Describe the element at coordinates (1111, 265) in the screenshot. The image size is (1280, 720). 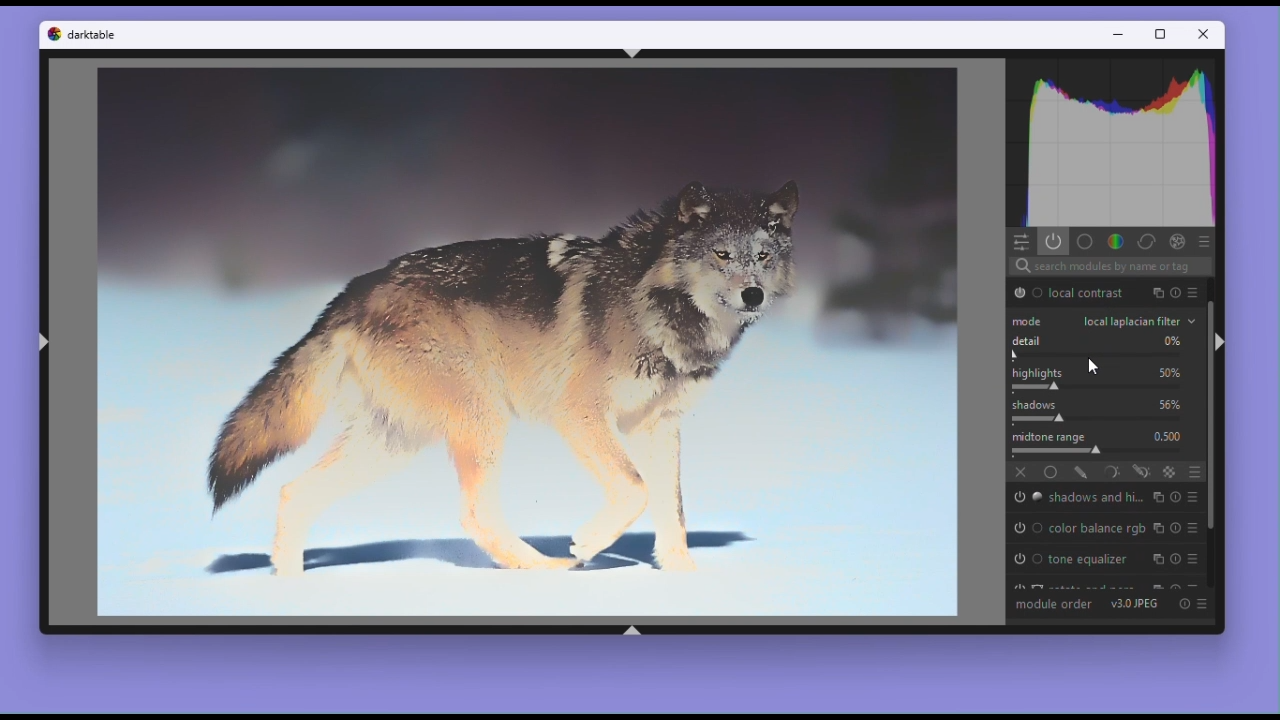
I see `search modules by name or tage` at that location.